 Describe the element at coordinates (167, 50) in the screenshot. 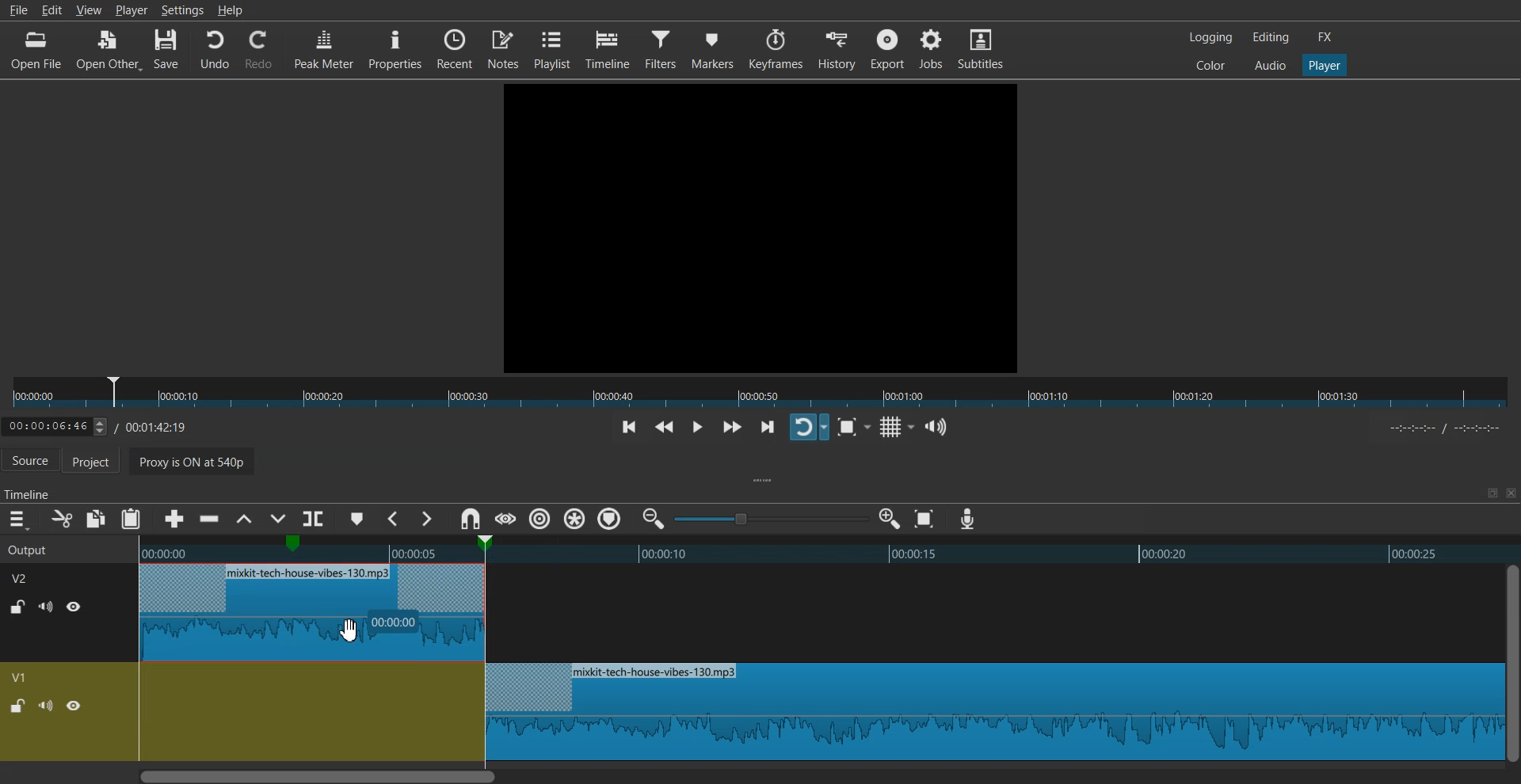

I see `Save` at that location.